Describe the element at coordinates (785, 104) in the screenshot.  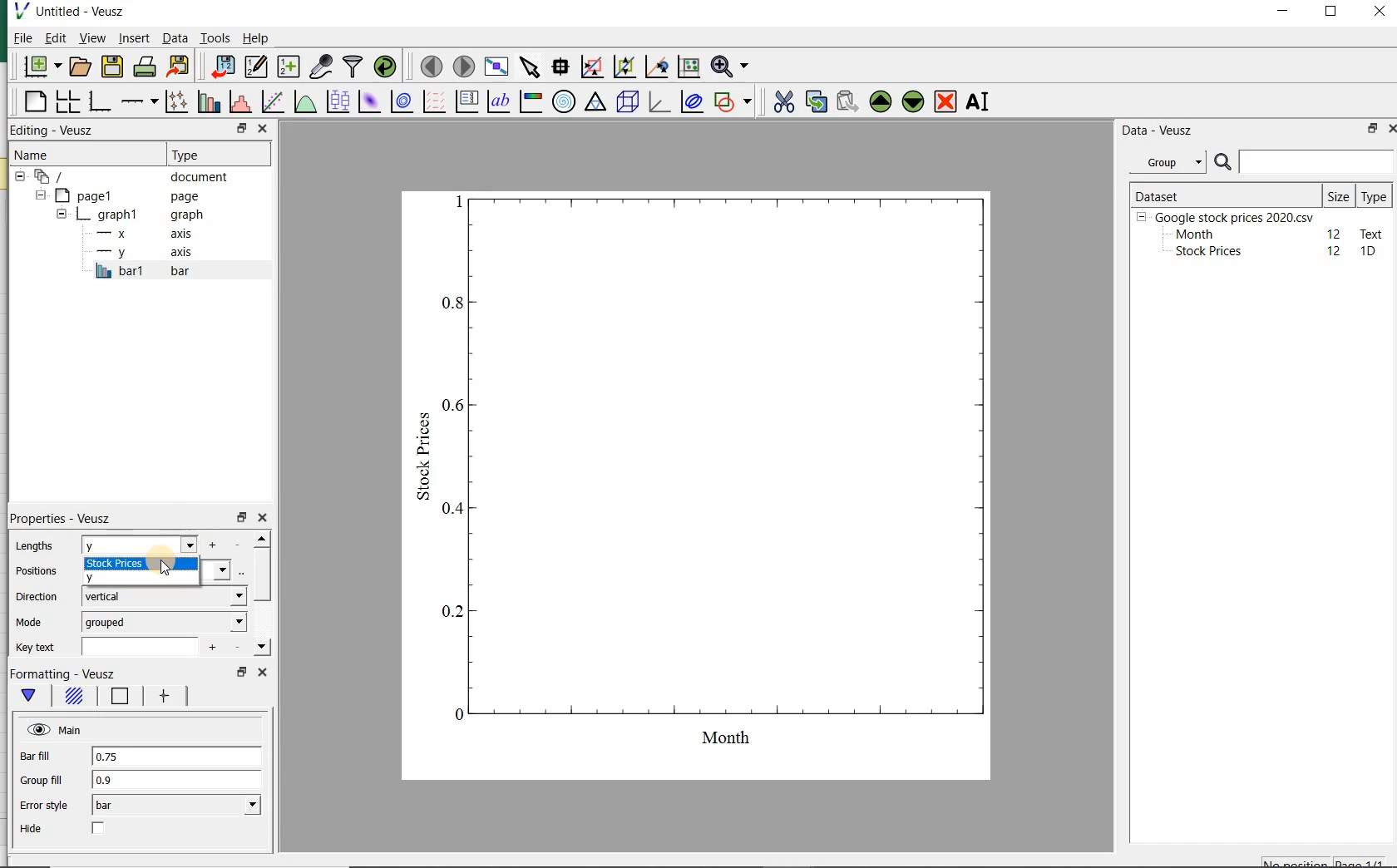
I see `cut the selected widget` at that location.